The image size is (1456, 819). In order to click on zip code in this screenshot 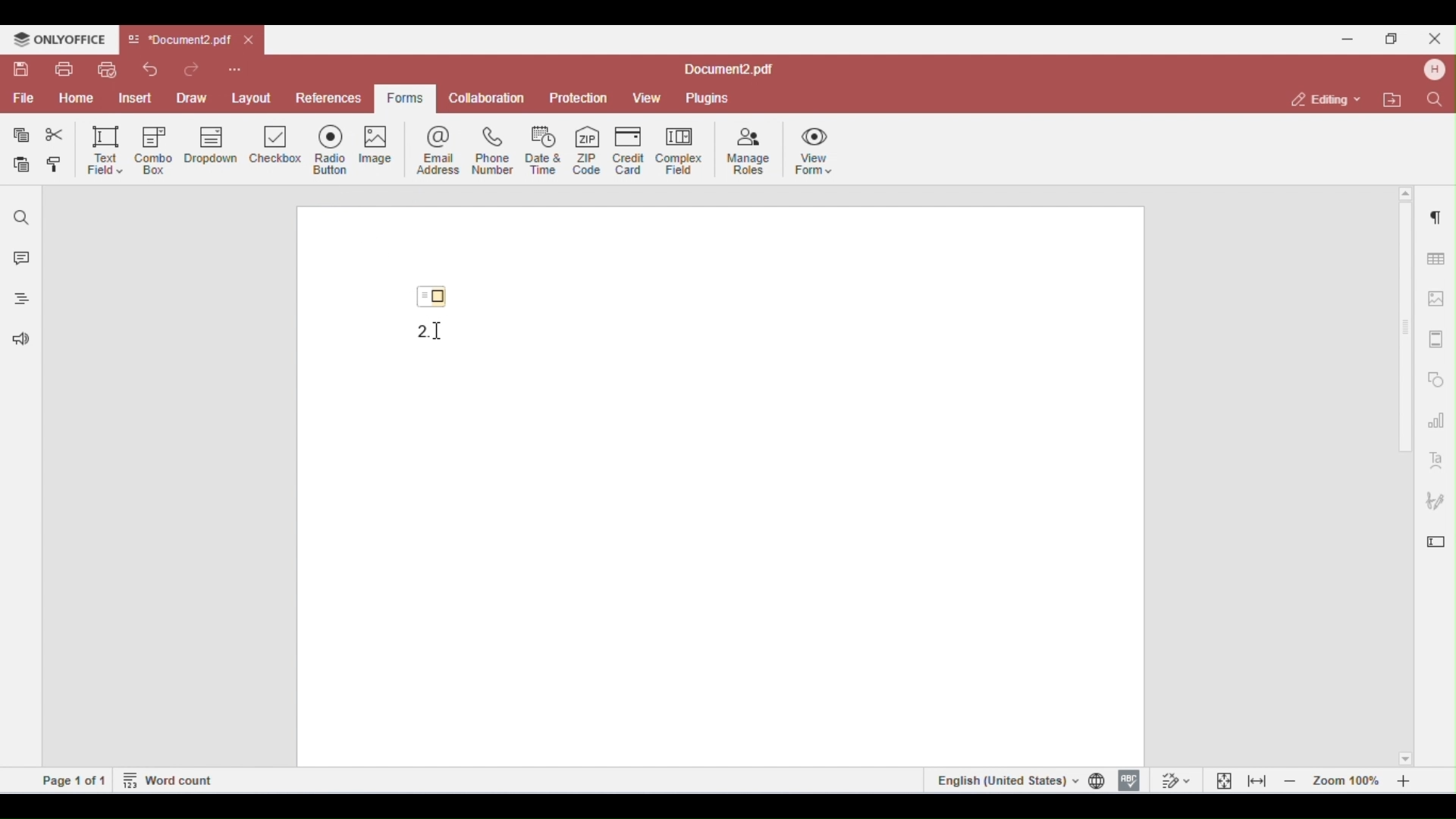, I will do `click(587, 148)`.